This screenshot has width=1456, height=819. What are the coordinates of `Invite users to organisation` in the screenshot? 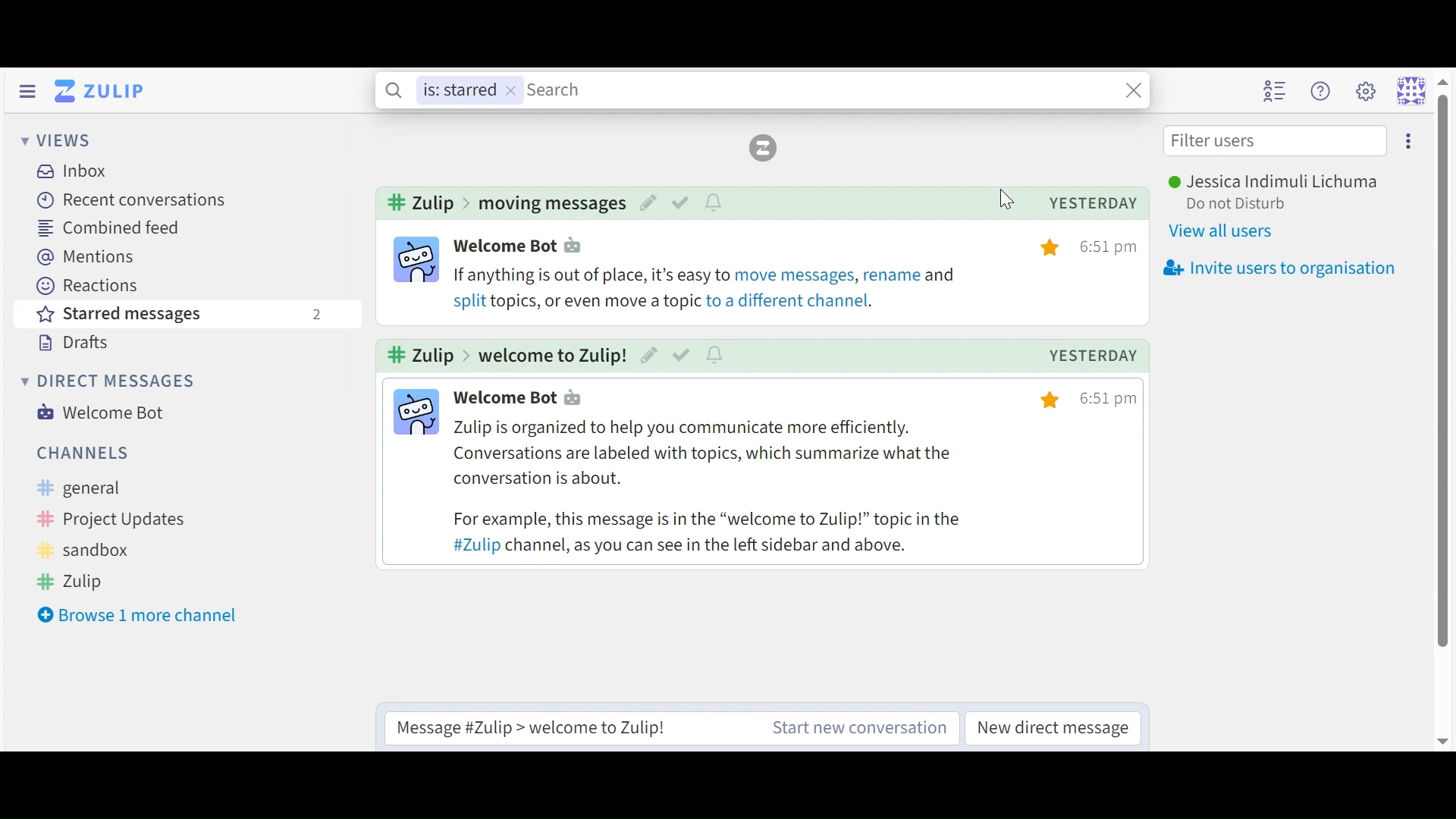 It's located at (1281, 269).